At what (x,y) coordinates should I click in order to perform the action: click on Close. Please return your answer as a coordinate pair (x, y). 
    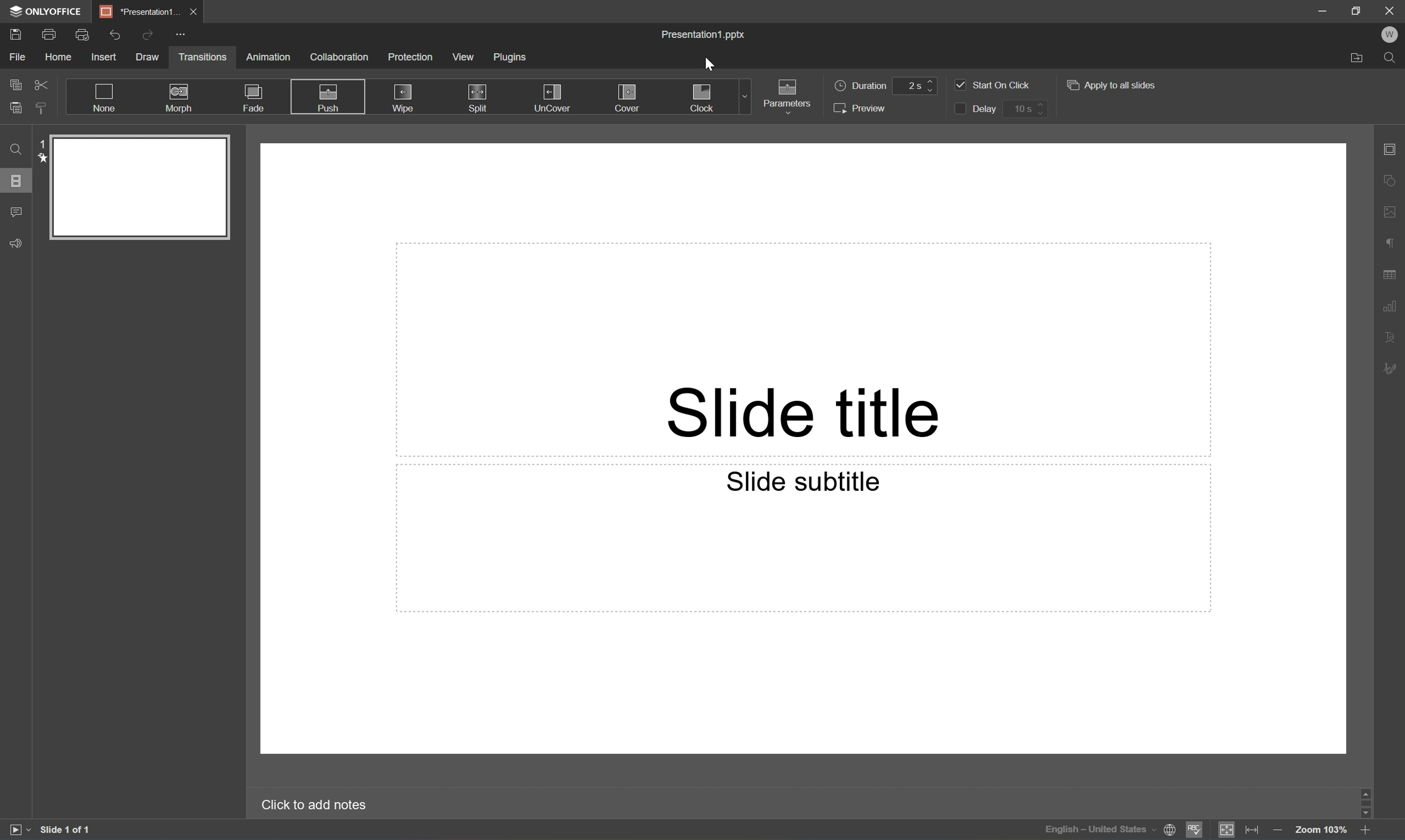
    Looking at the image, I should click on (1387, 10).